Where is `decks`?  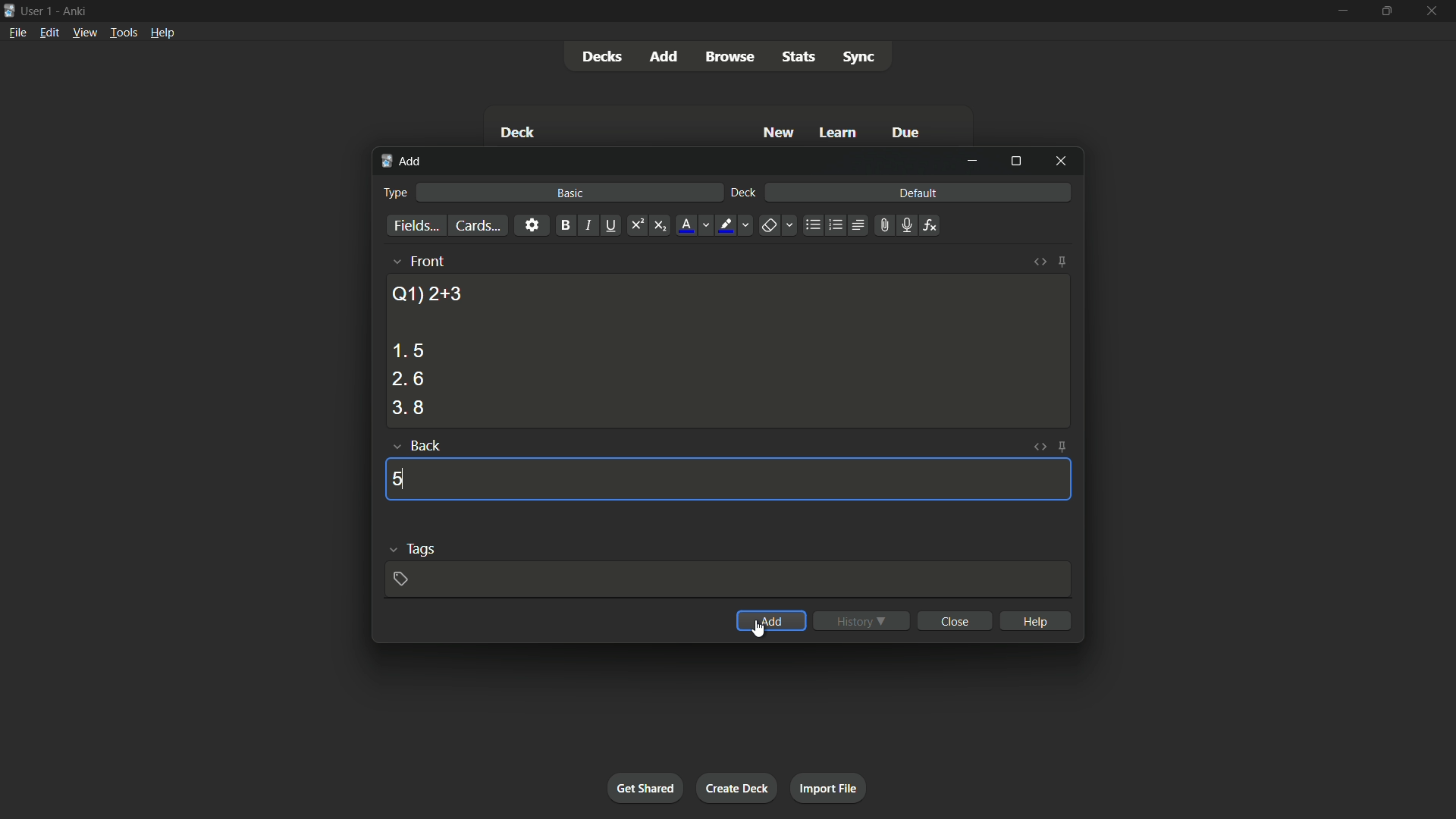 decks is located at coordinates (601, 57).